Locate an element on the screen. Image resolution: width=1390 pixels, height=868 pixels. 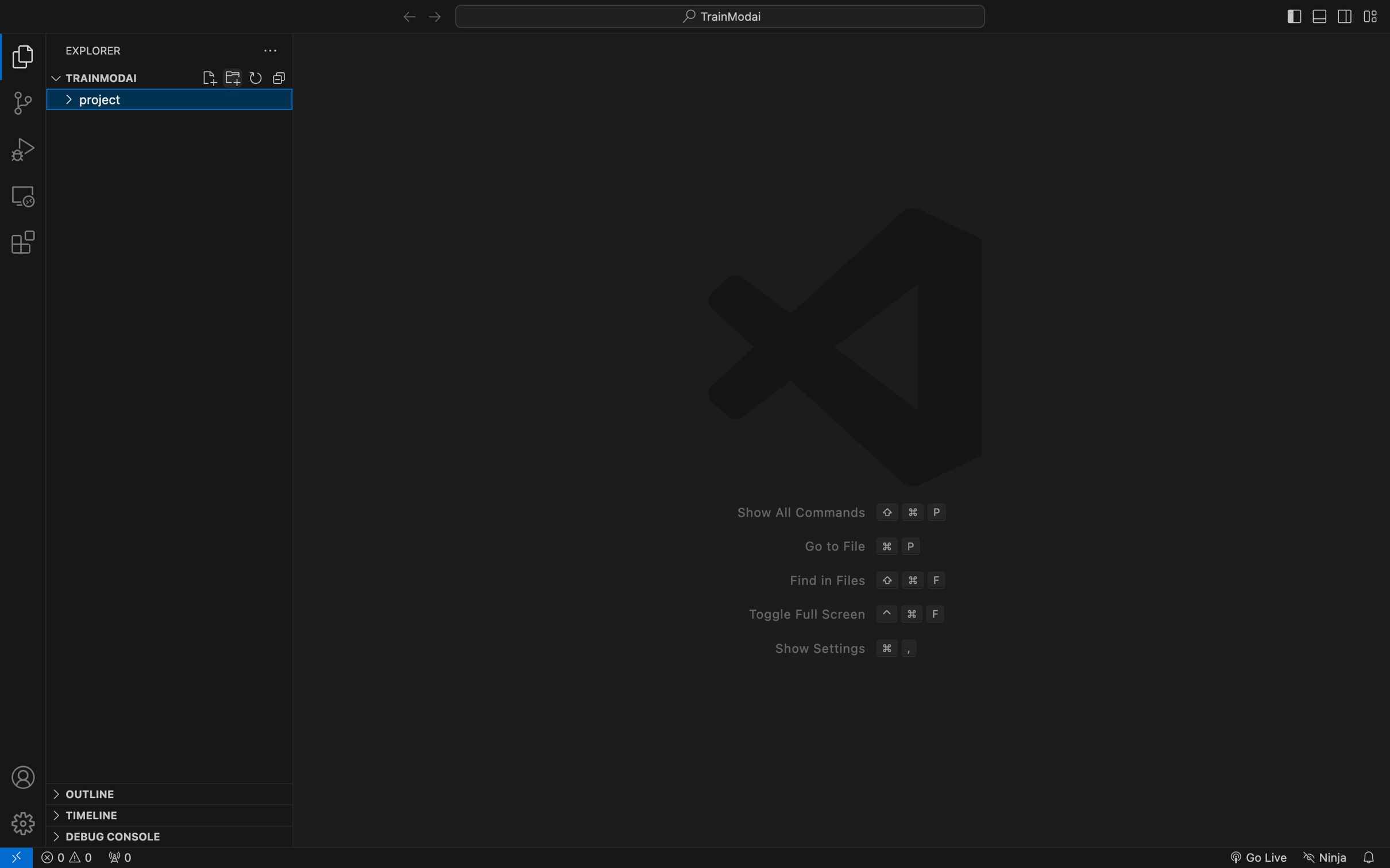
Find in files is located at coordinates (861, 581).